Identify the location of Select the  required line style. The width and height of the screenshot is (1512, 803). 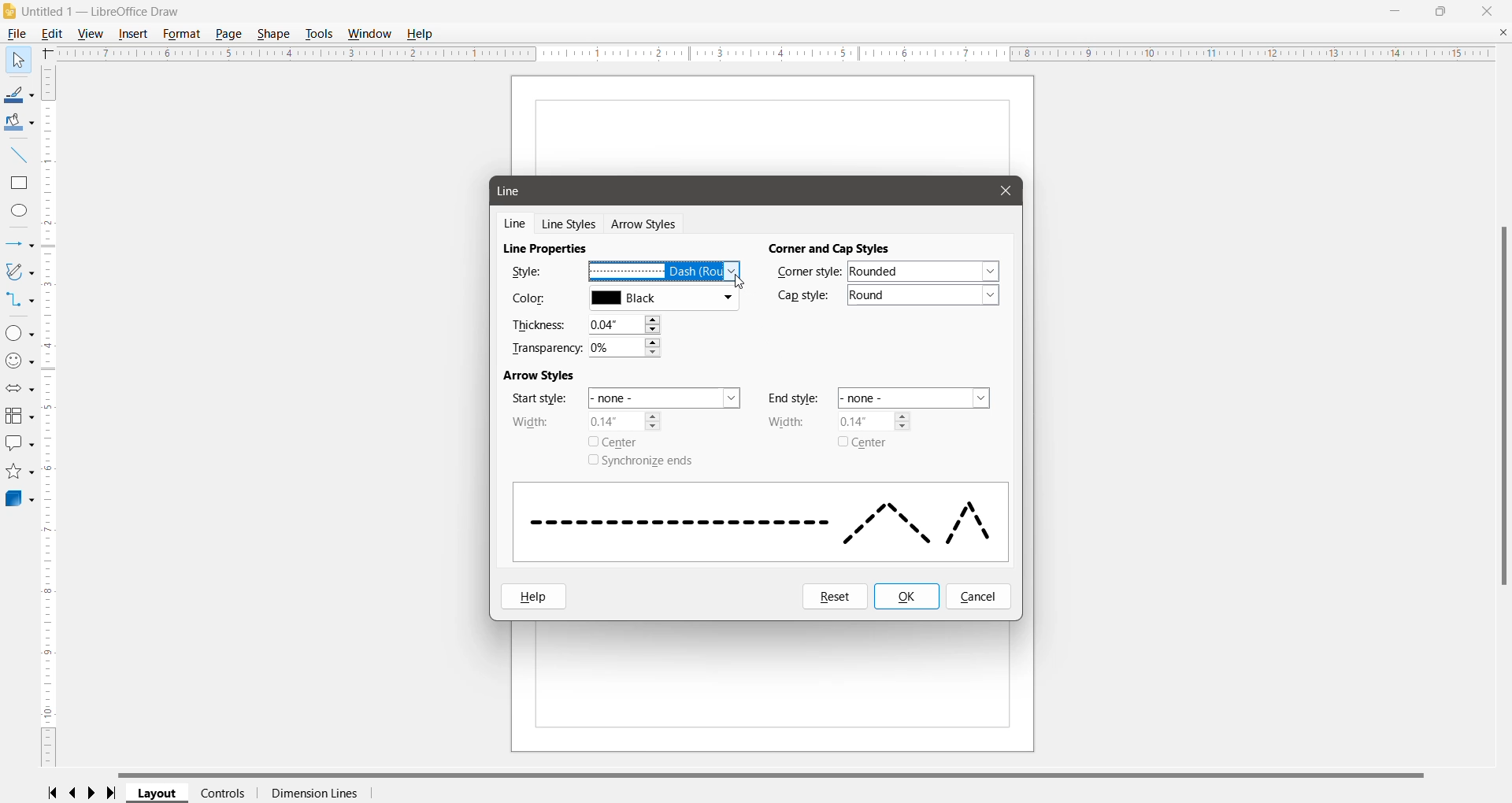
(663, 271).